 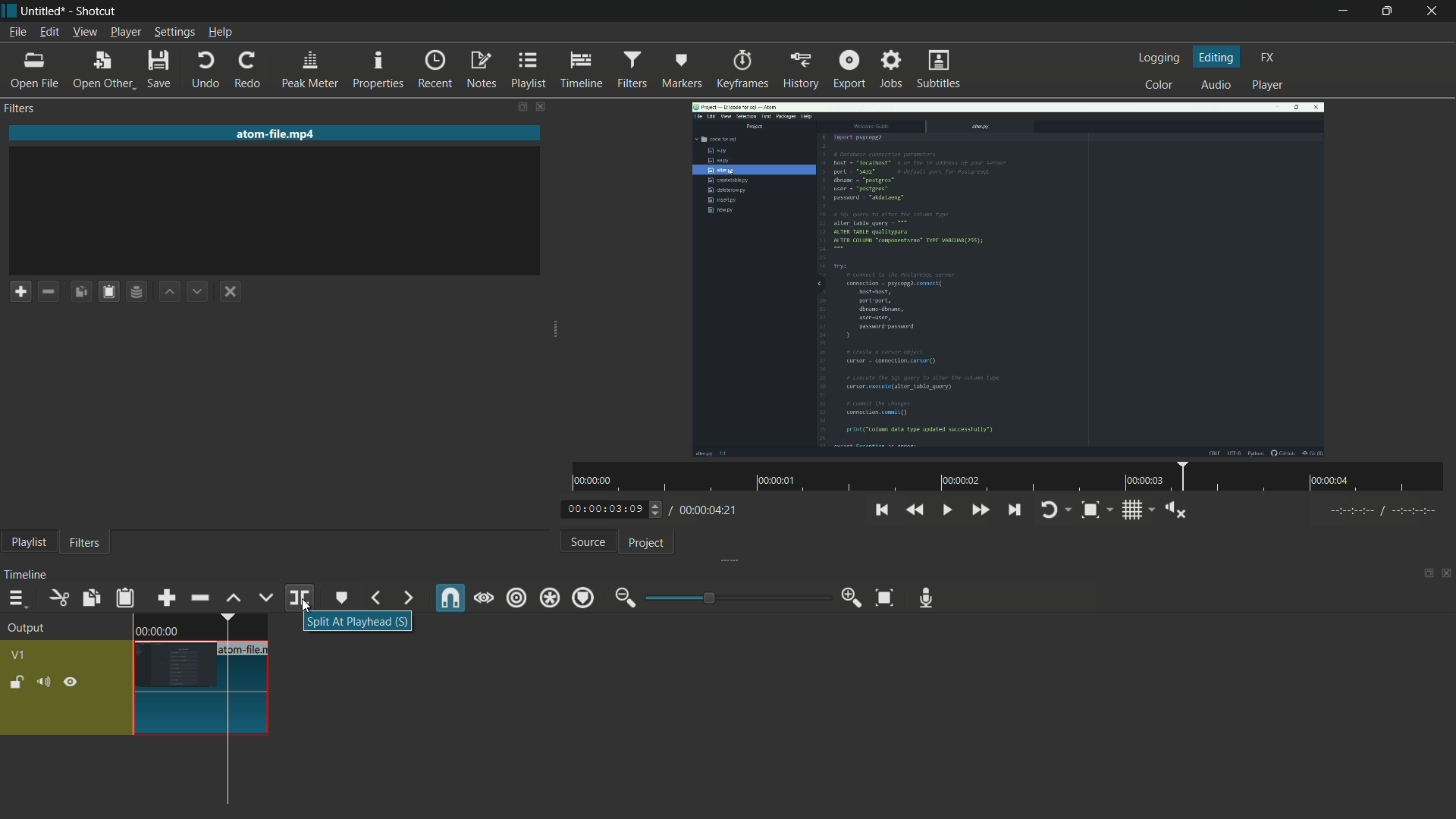 I want to click on close filters, so click(x=540, y=107).